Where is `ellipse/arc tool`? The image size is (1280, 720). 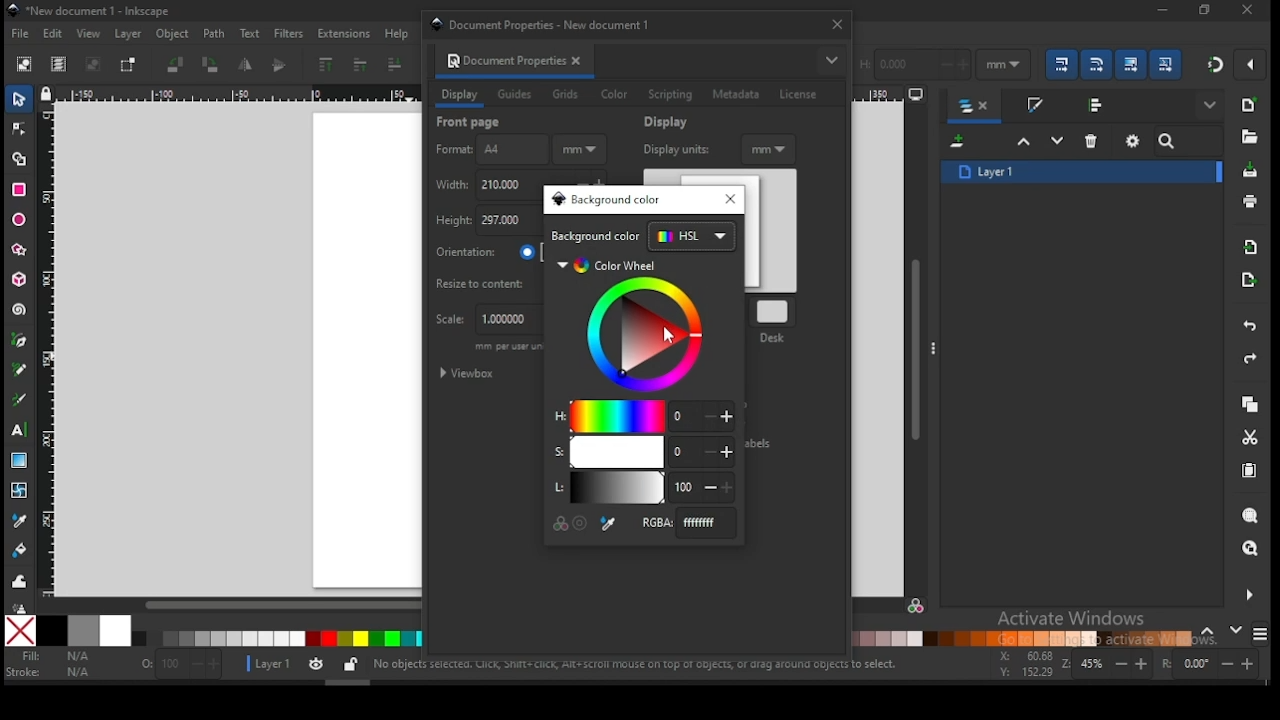 ellipse/arc tool is located at coordinates (20, 221).